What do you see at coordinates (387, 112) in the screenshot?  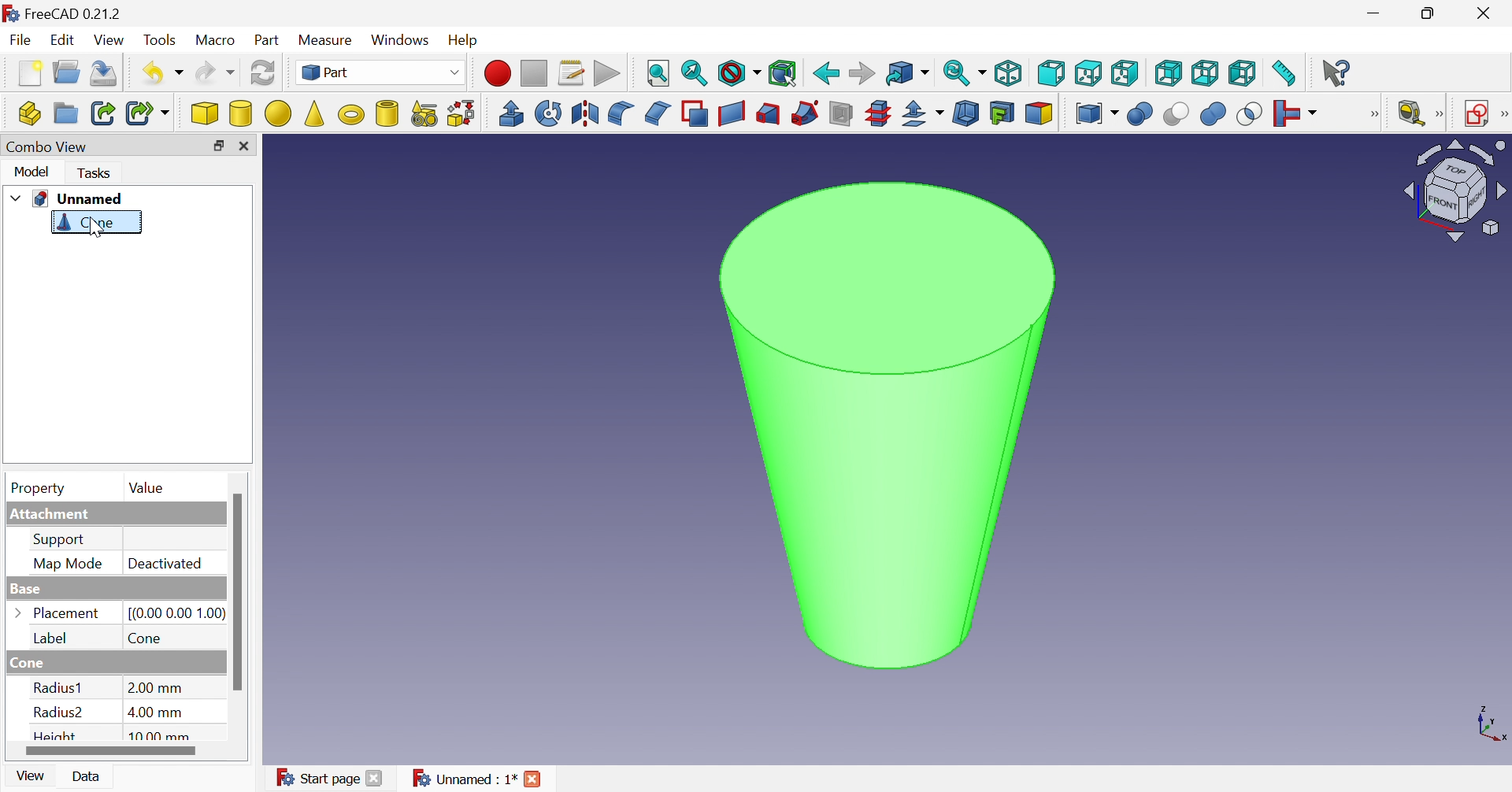 I see `Create` at bounding box center [387, 112].